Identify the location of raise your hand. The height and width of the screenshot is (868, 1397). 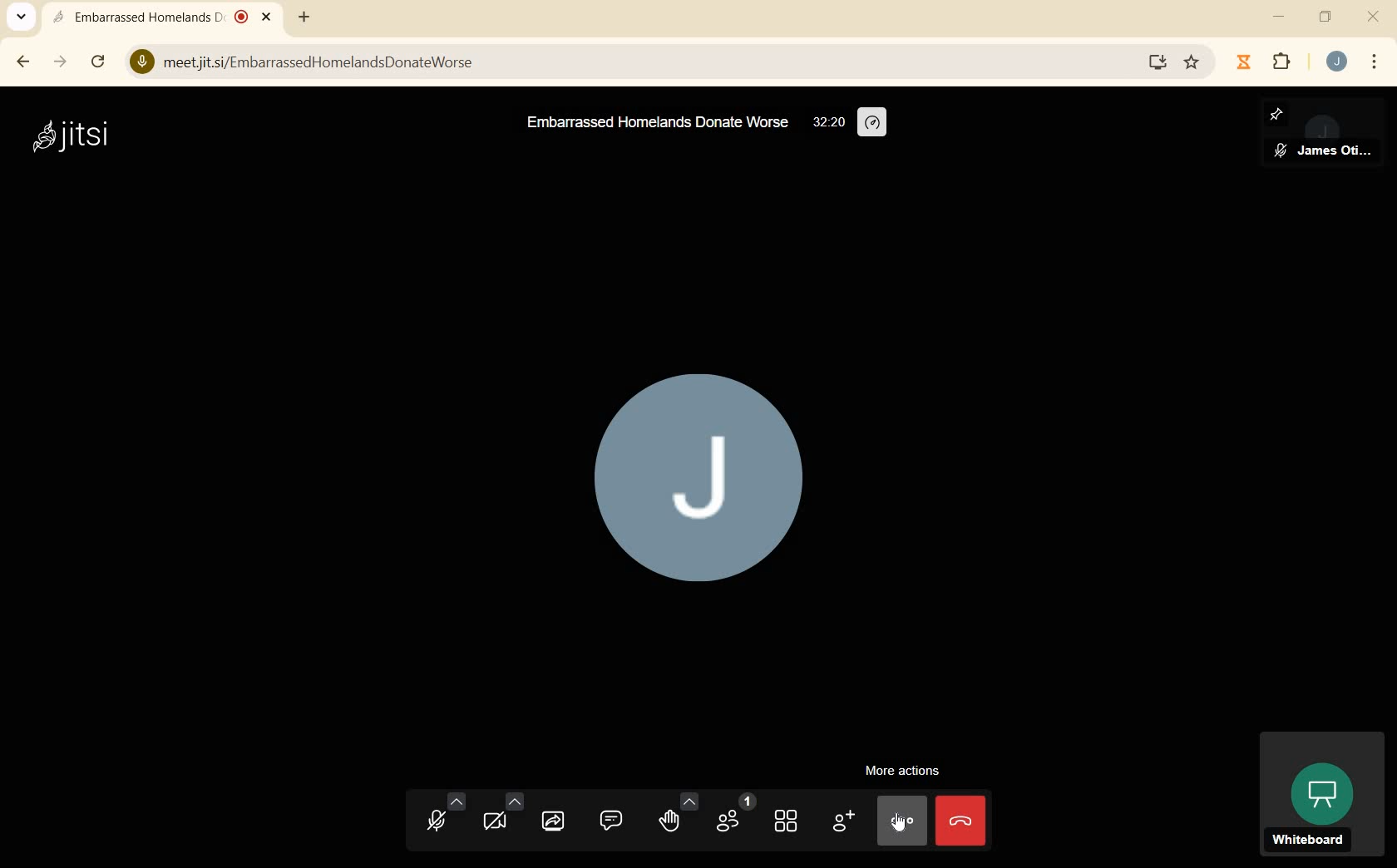
(677, 814).